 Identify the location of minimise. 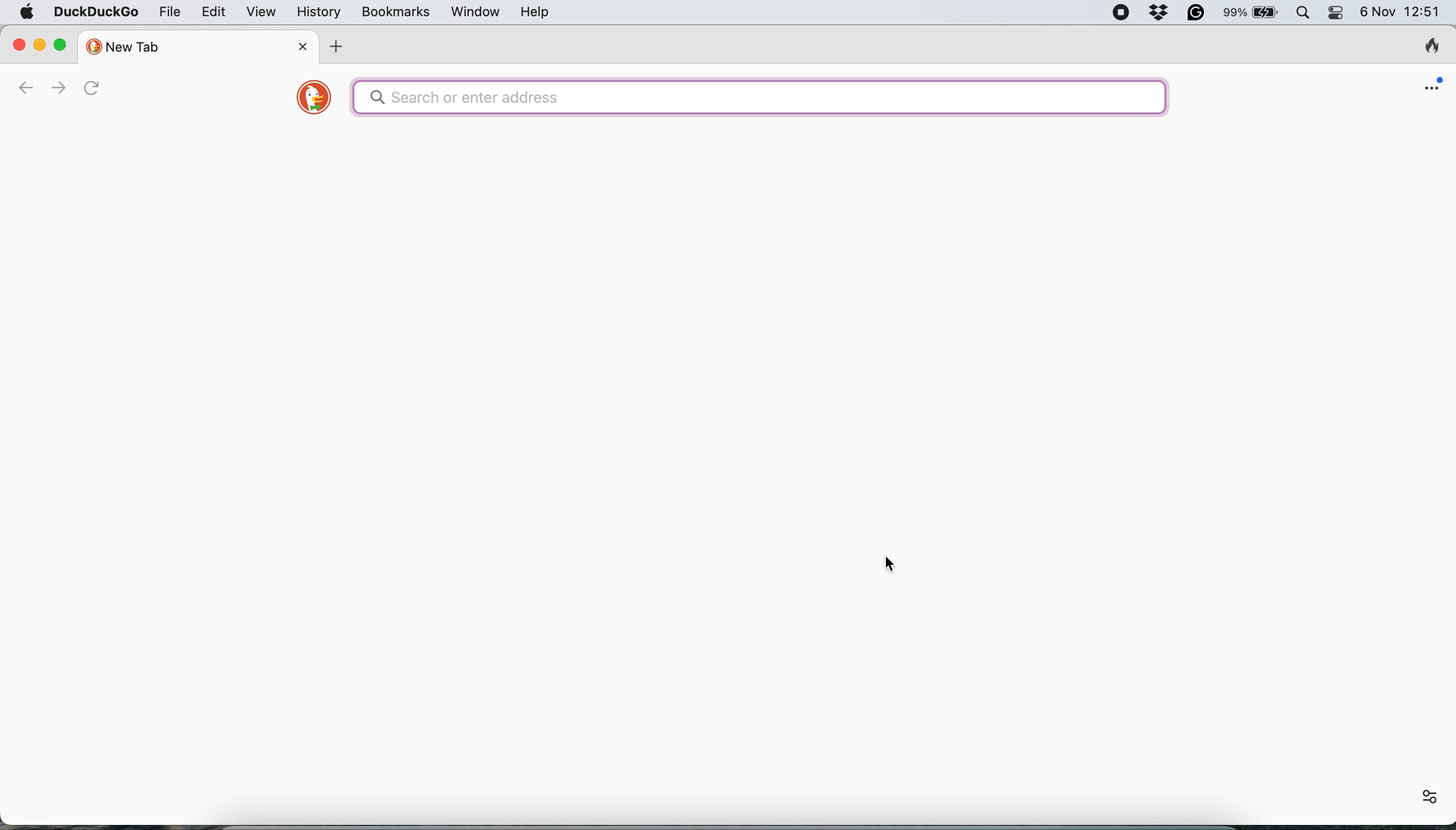
(41, 44).